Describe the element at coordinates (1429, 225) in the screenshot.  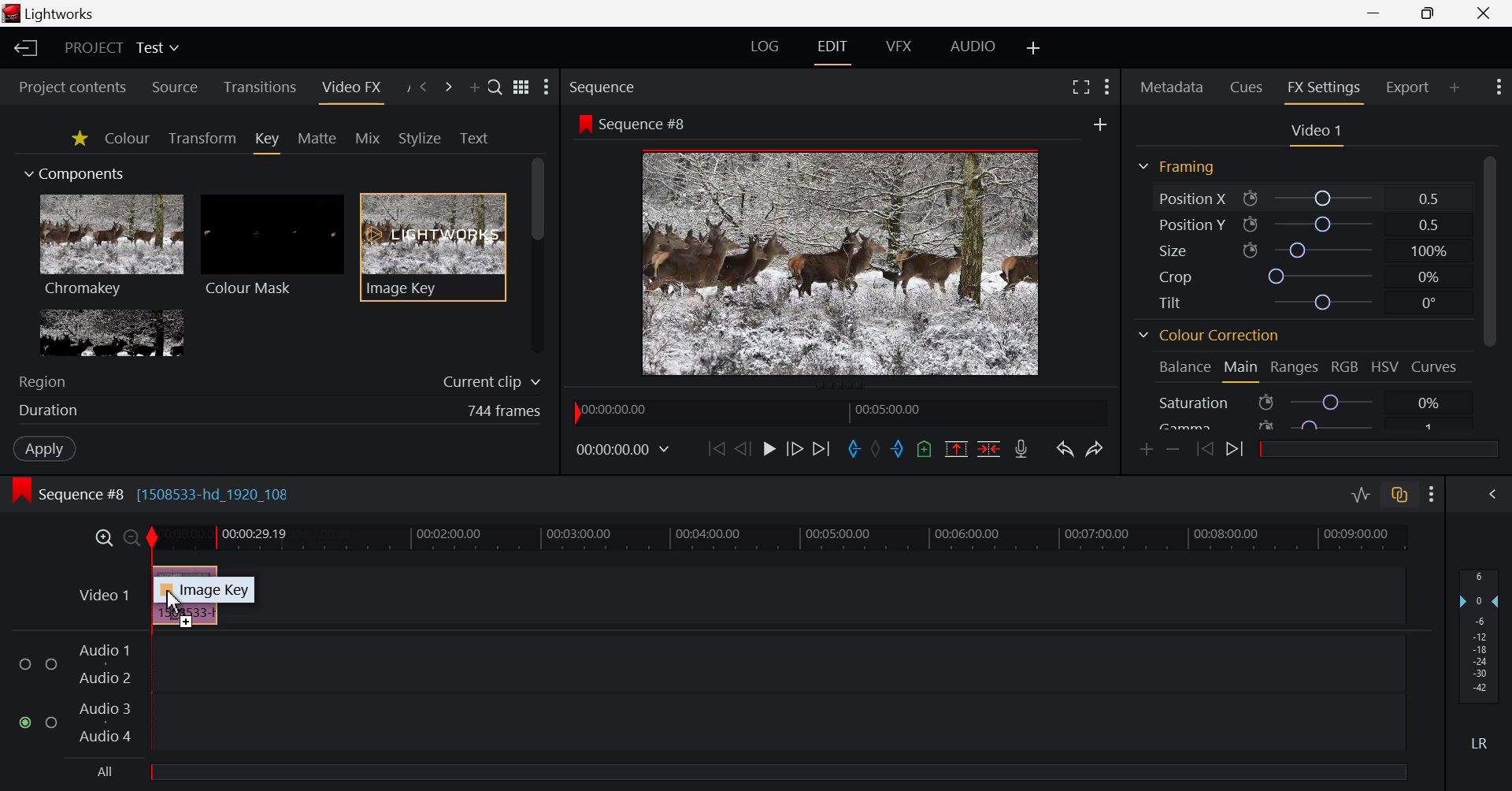
I see `0.5` at that location.